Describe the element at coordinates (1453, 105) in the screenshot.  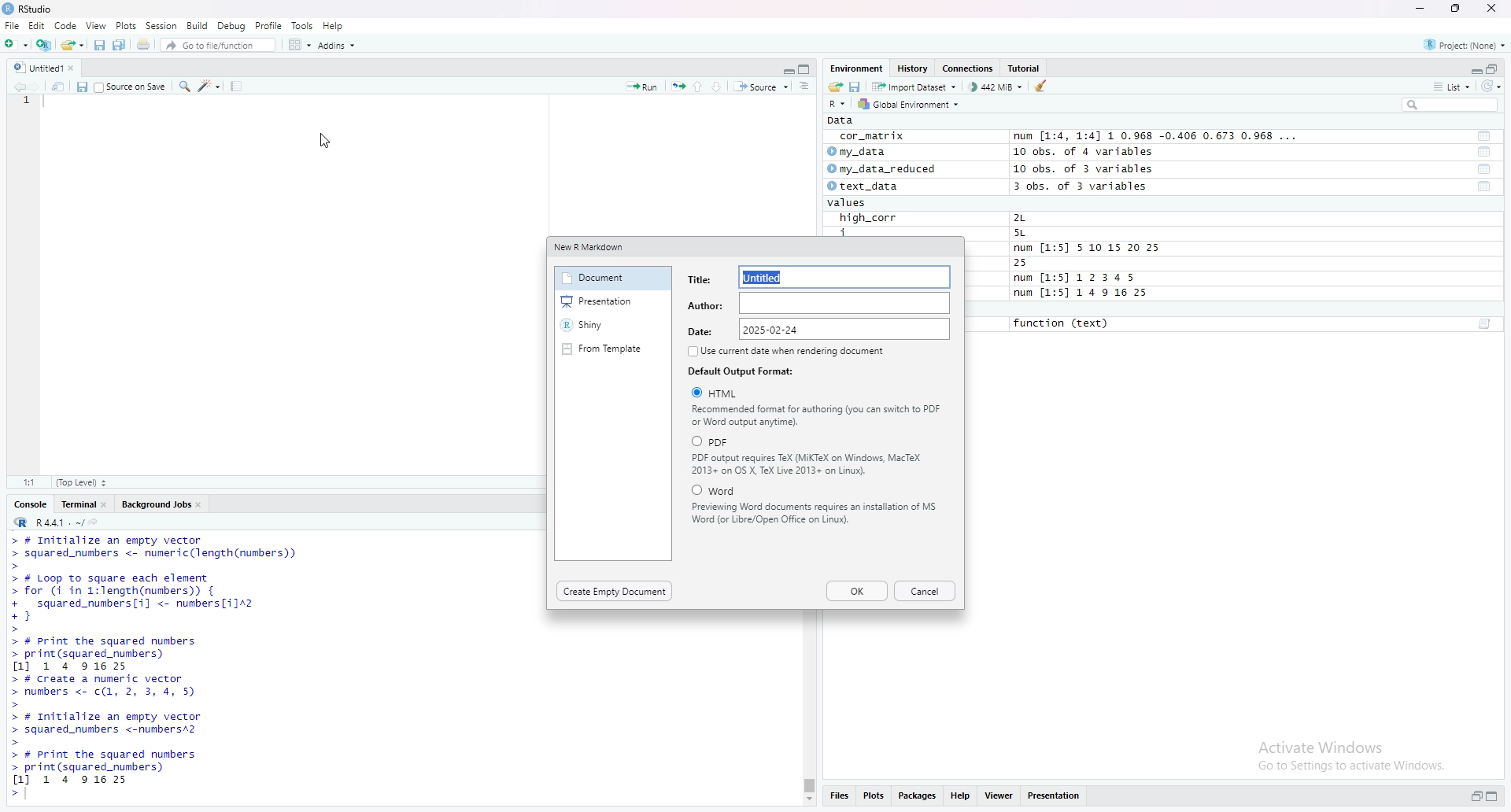
I see `search` at that location.